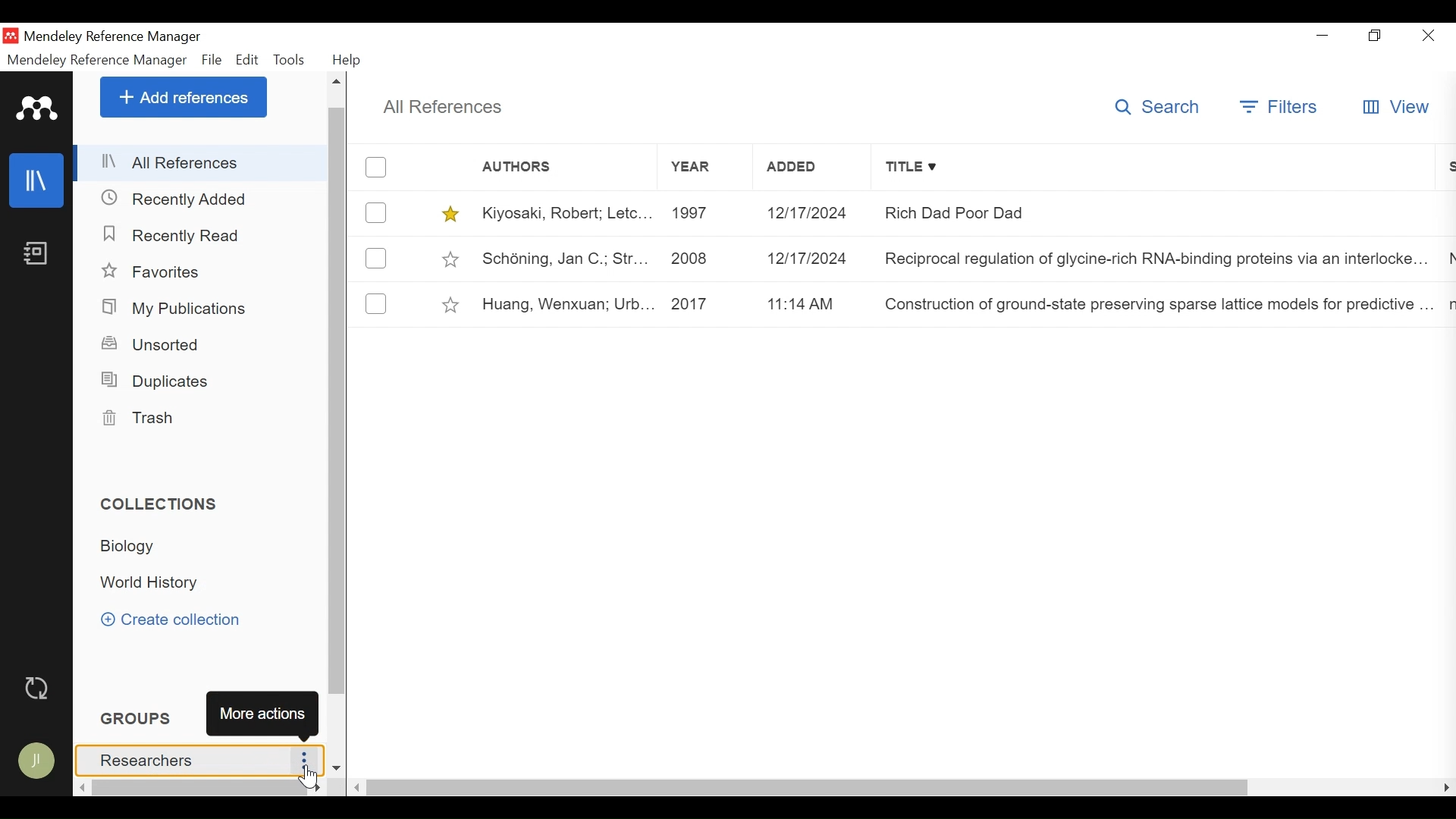 The width and height of the screenshot is (1456, 819). Describe the element at coordinates (338, 434) in the screenshot. I see `Vertical Scroll bar` at that location.